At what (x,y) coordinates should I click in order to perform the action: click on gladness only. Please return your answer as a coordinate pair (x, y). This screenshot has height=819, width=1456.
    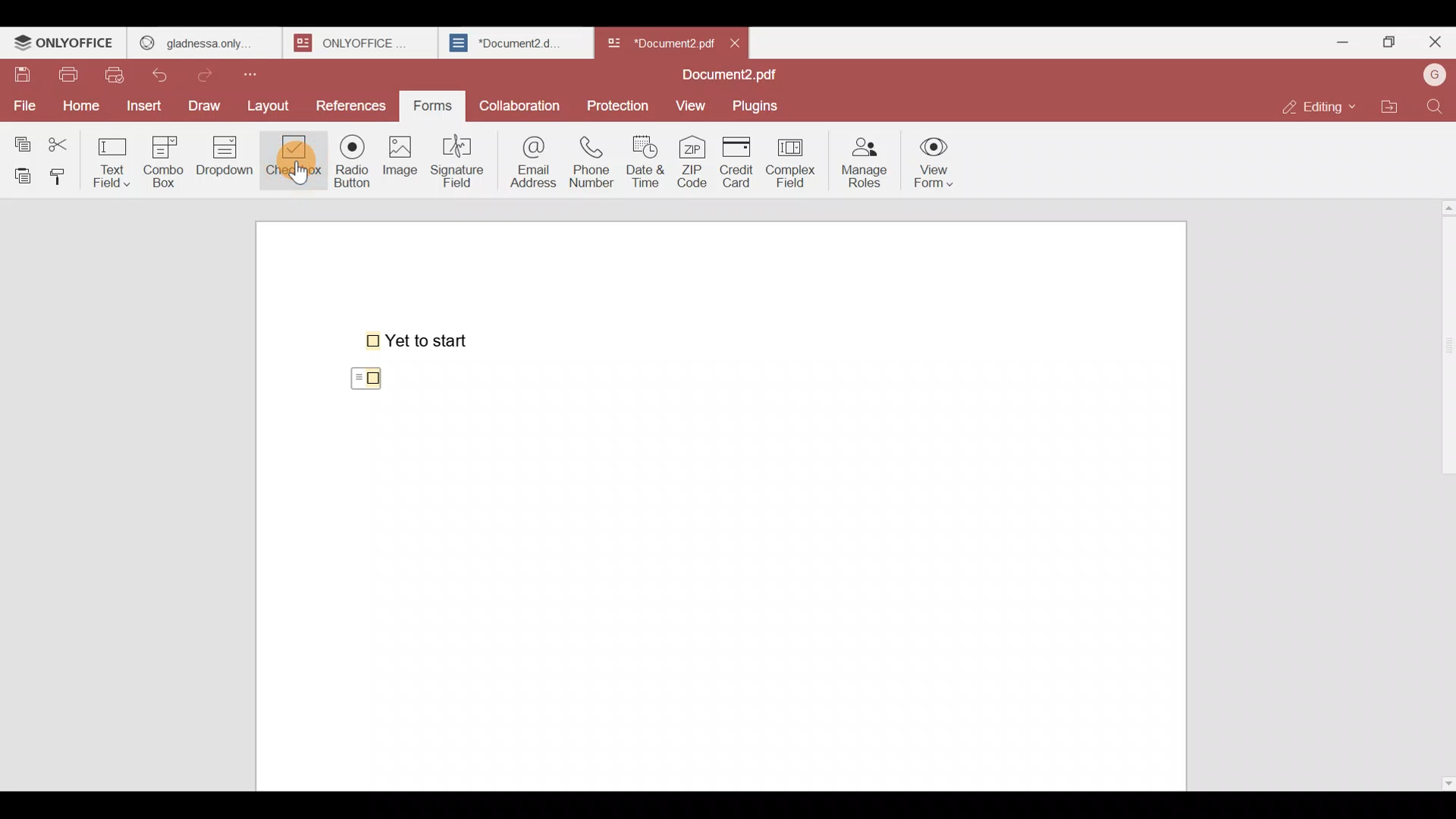
    Looking at the image, I should click on (203, 39).